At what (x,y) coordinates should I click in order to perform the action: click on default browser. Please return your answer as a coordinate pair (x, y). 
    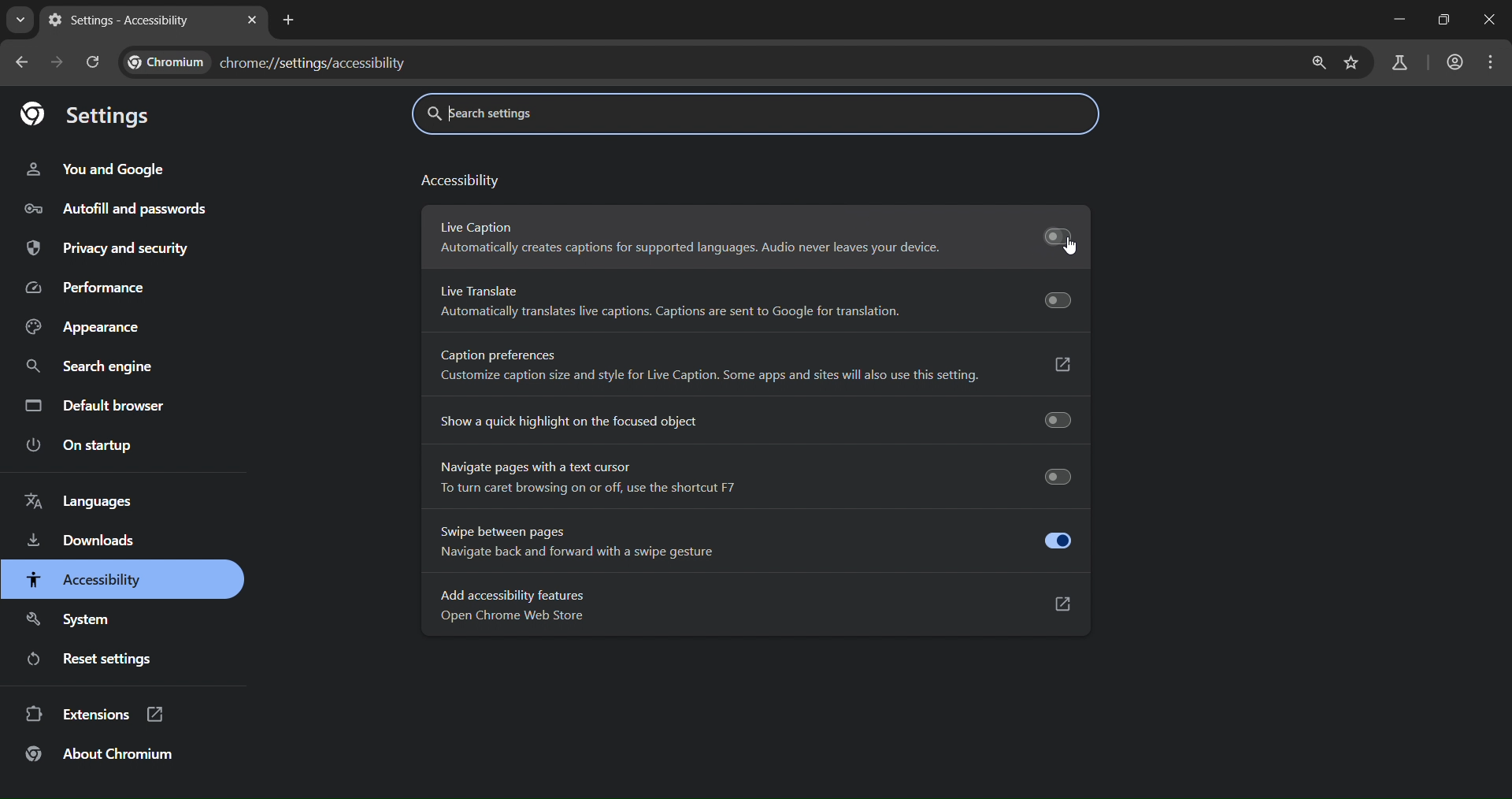
    Looking at the image, I should click on (93, 407).